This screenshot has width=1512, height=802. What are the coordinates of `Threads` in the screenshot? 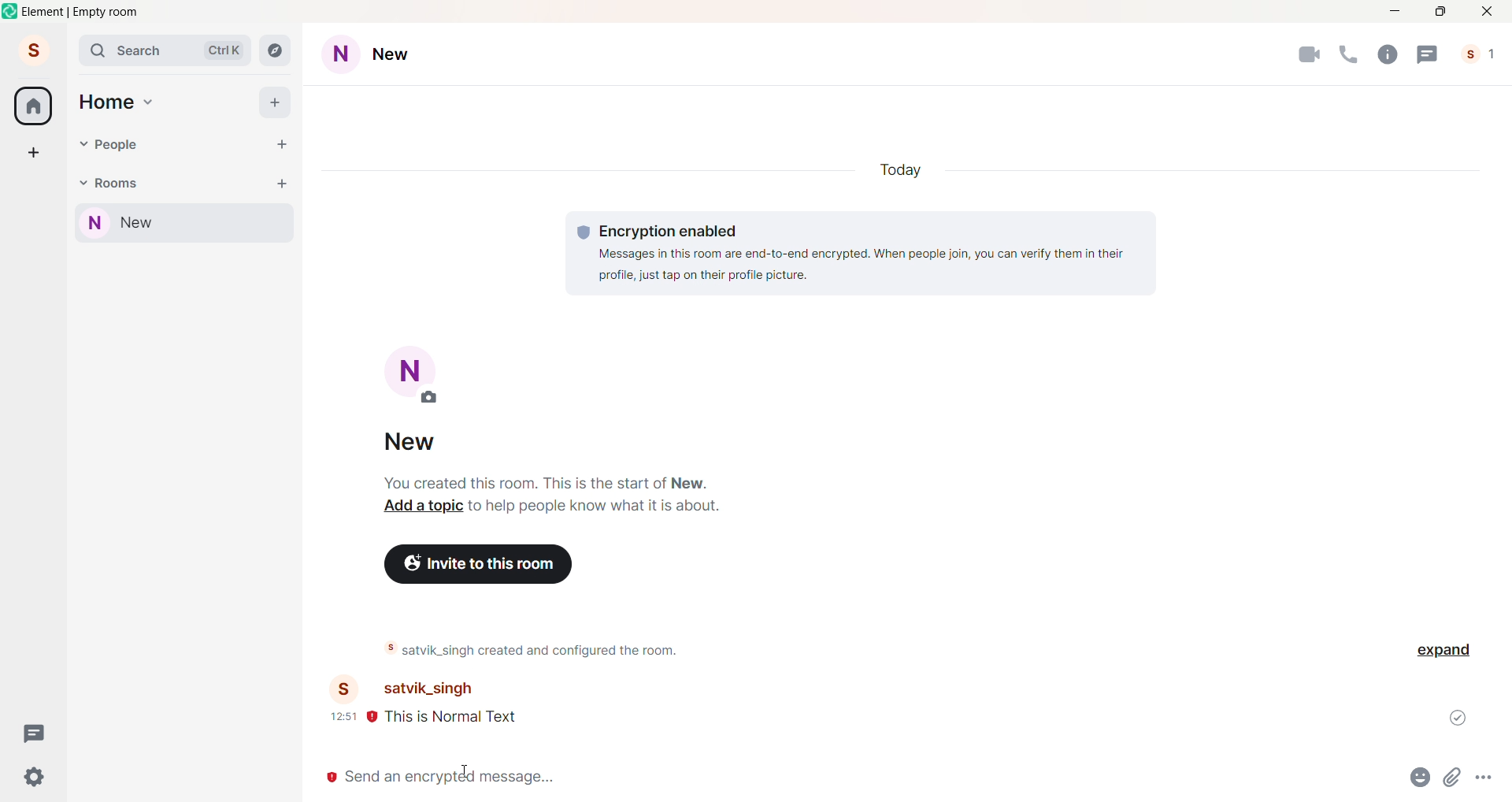 It's located at (1428, 54).